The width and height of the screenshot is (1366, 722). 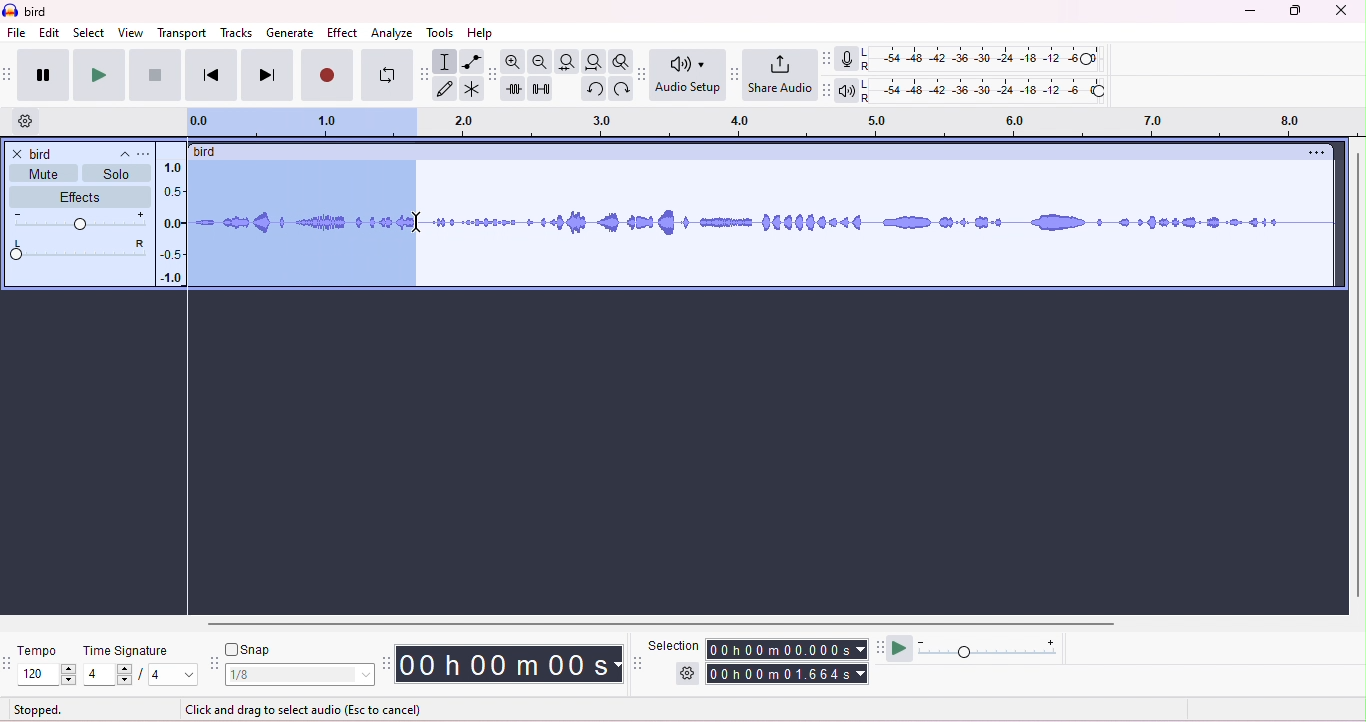 I want to click on track title, so click(x=146, y=153).